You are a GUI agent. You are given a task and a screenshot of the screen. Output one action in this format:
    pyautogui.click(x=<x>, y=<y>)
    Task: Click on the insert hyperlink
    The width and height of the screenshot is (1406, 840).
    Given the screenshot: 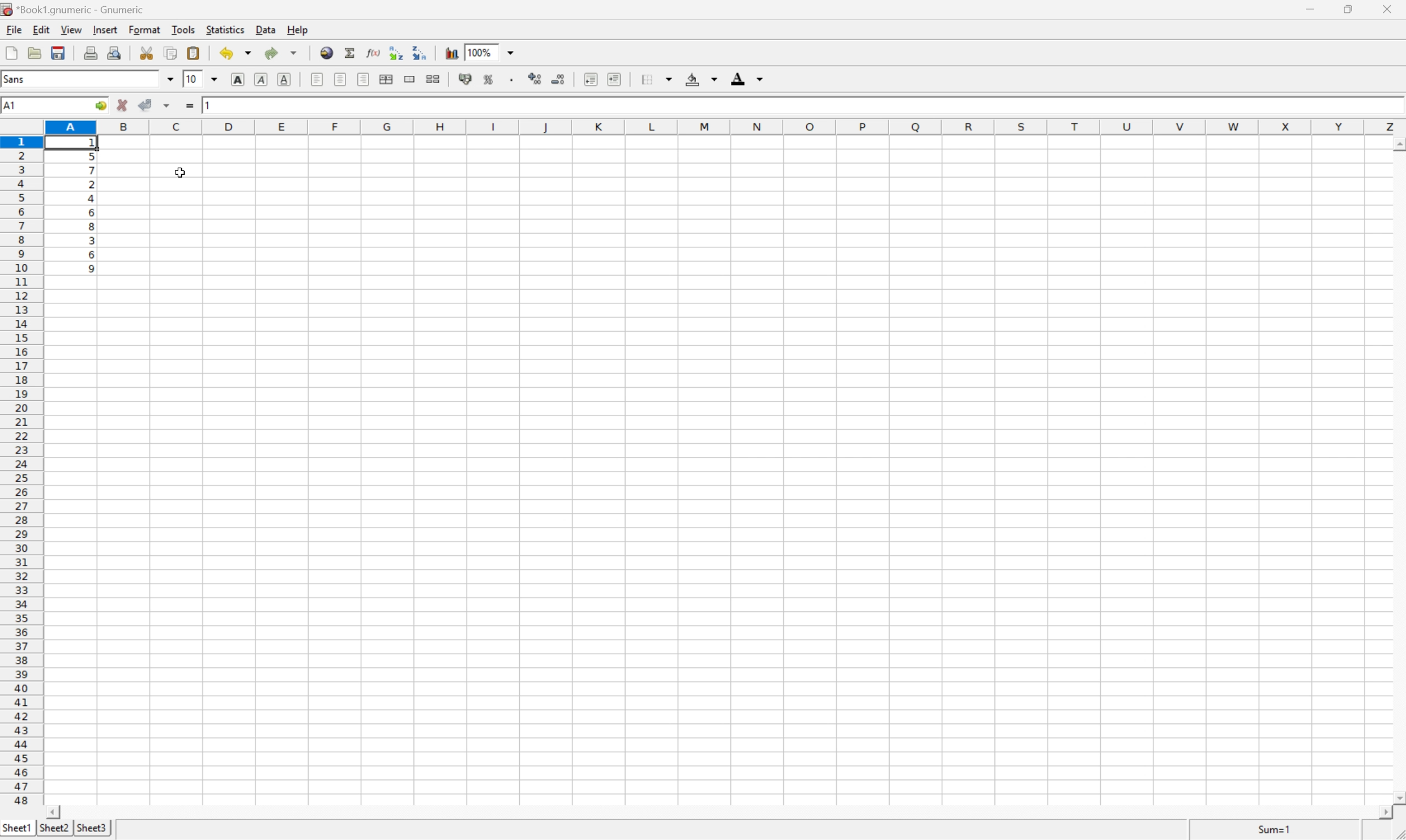 What is the action you would take?
    pyautogui.click(x=324, y=52)
    